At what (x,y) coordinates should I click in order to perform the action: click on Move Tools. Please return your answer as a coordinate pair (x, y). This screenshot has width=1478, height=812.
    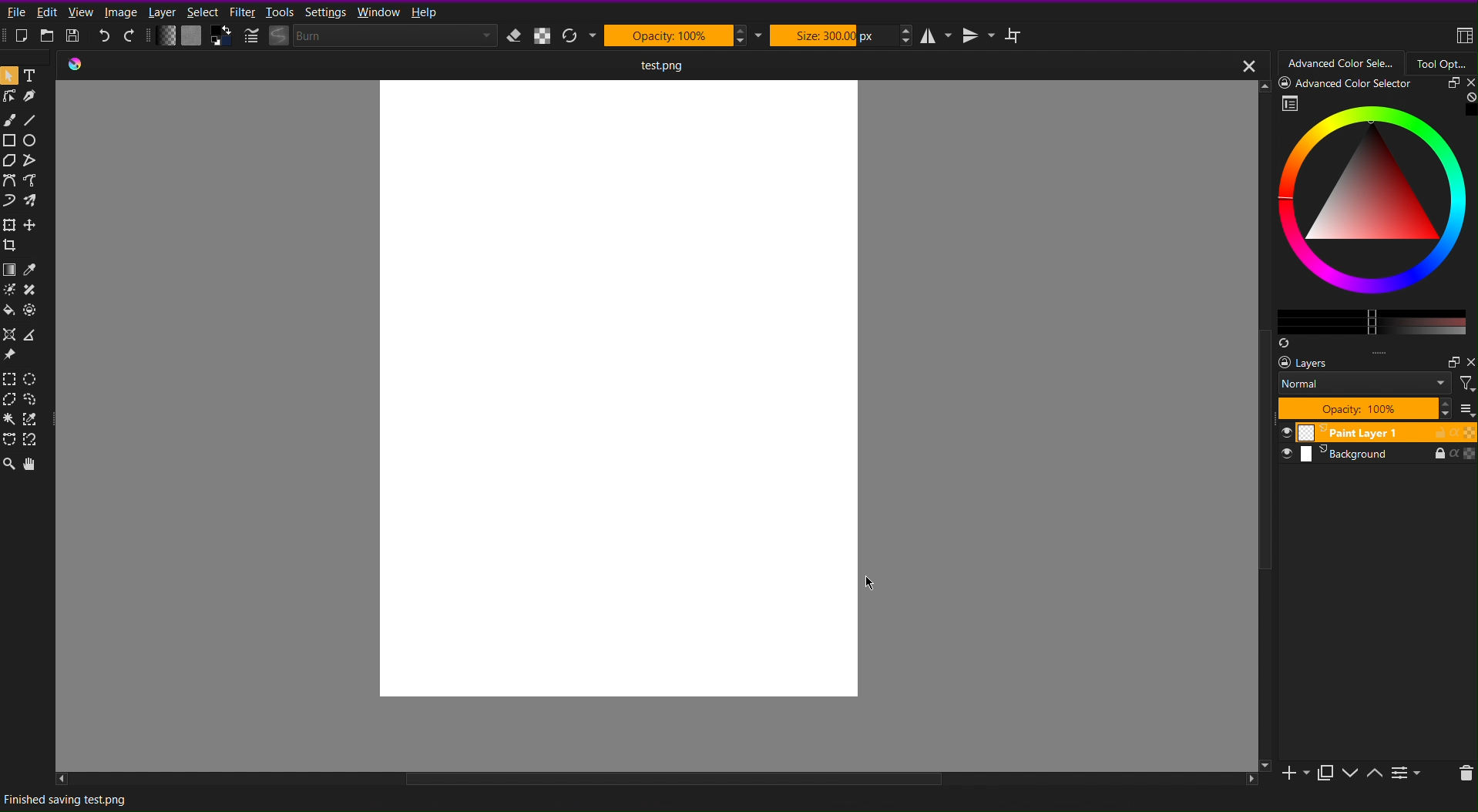
    Looking at the image, I should click on (25, 231).